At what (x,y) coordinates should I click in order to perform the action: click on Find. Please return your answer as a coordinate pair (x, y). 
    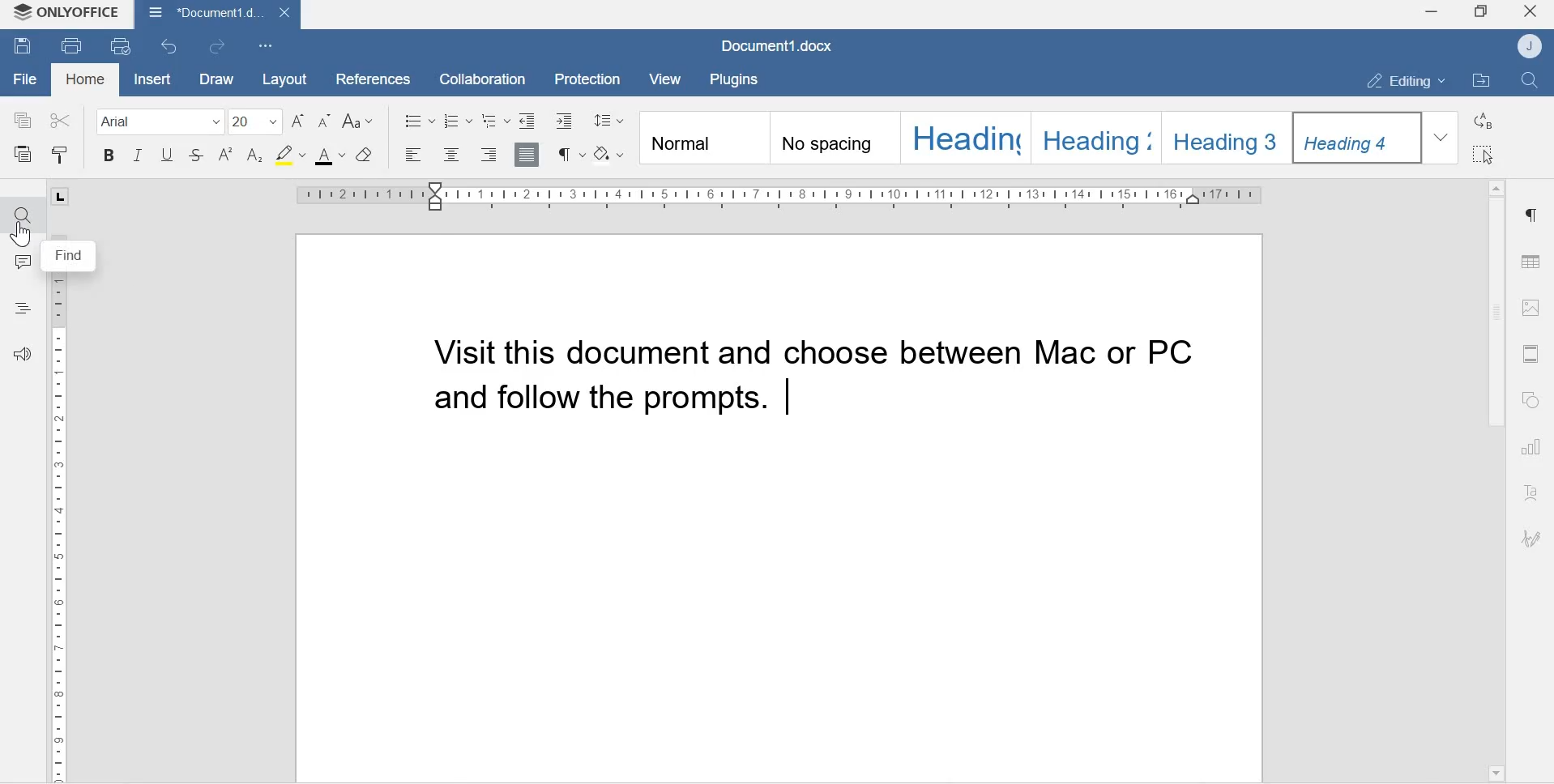
    Looking at the image, I should click on (1533, 81).